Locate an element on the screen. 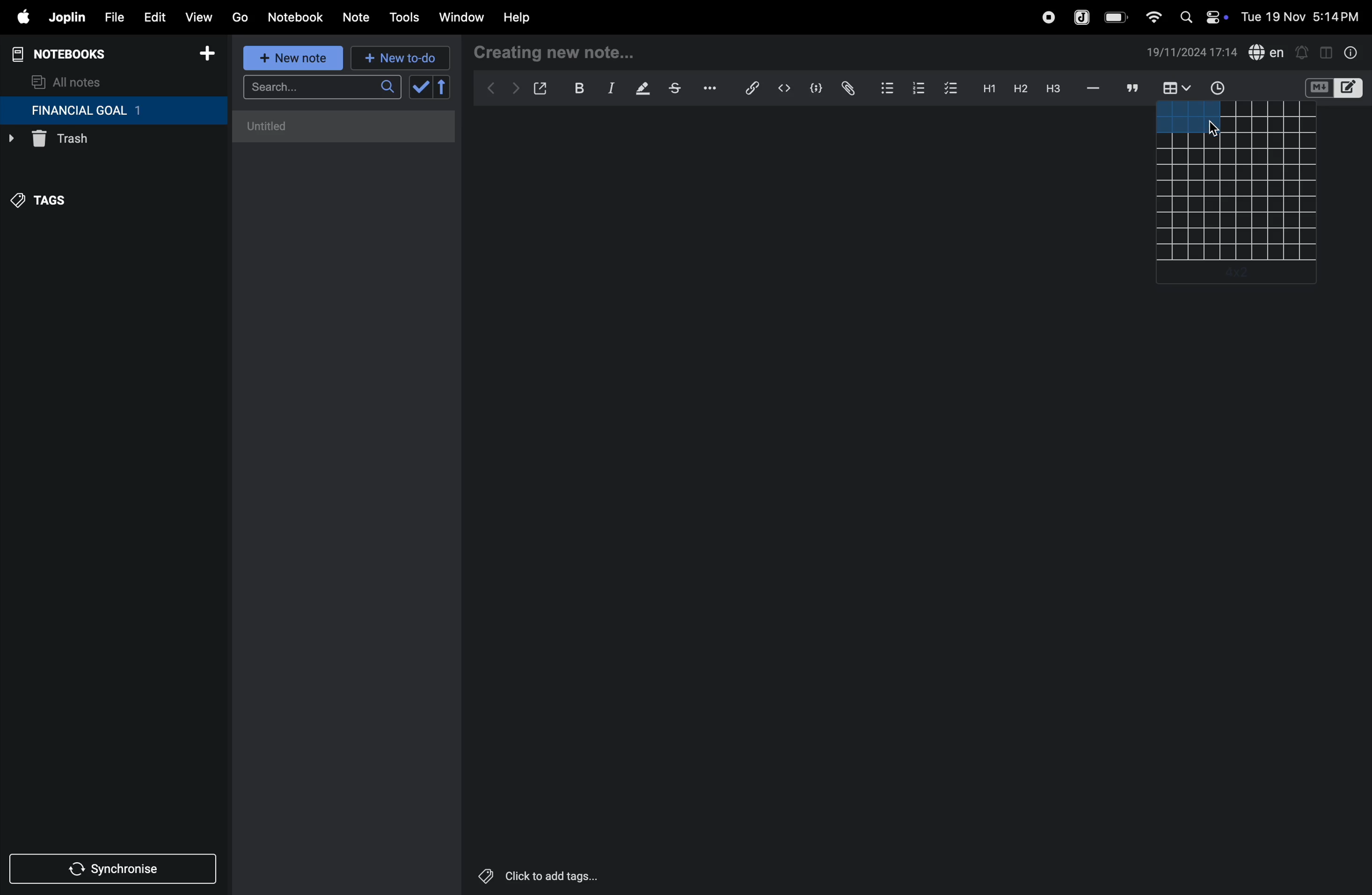  backward is located at coordinates (487, 89).